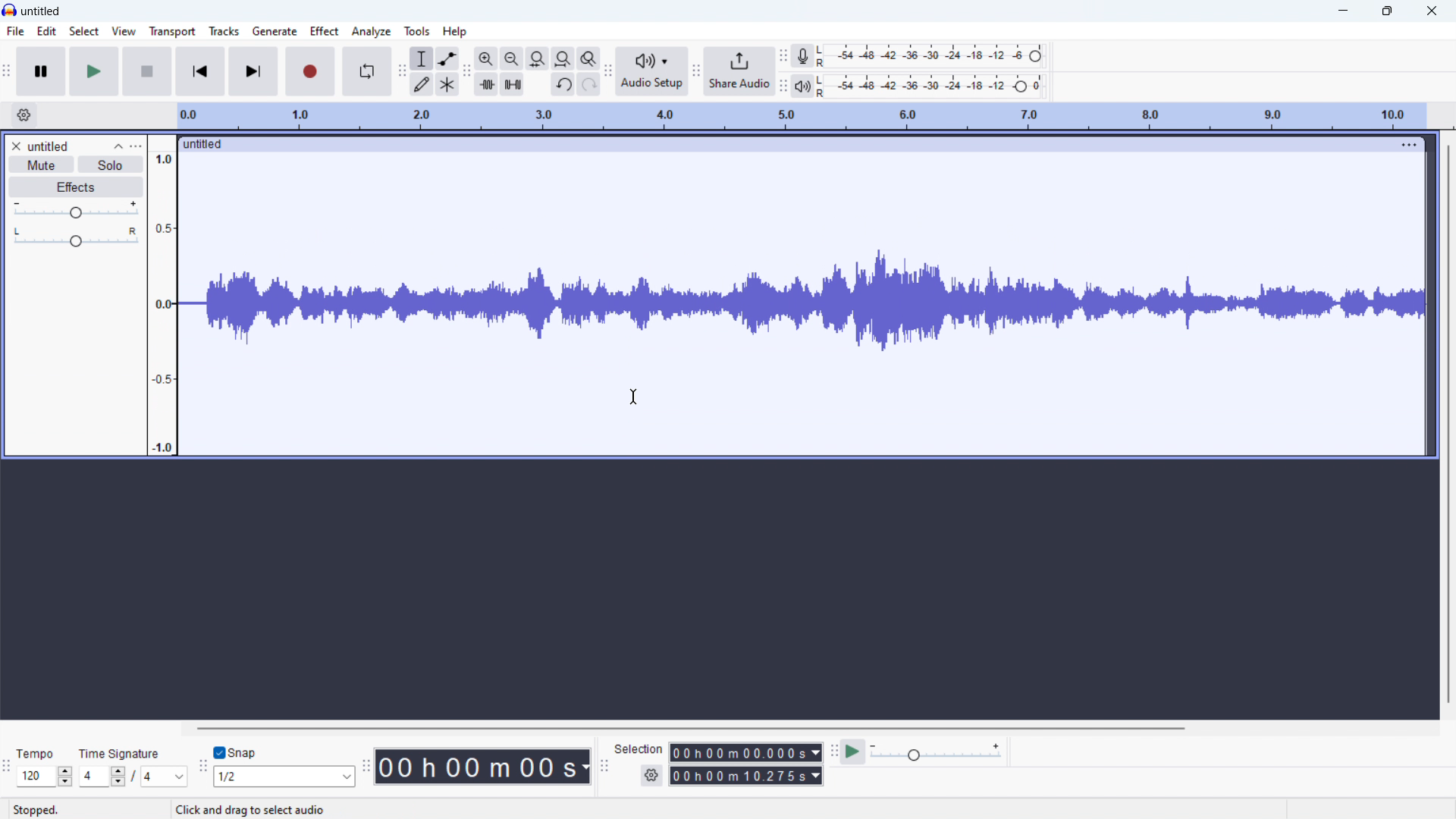 This screenshot has width=1456, height=819. I want to click on zoom in, so click(485, 58).